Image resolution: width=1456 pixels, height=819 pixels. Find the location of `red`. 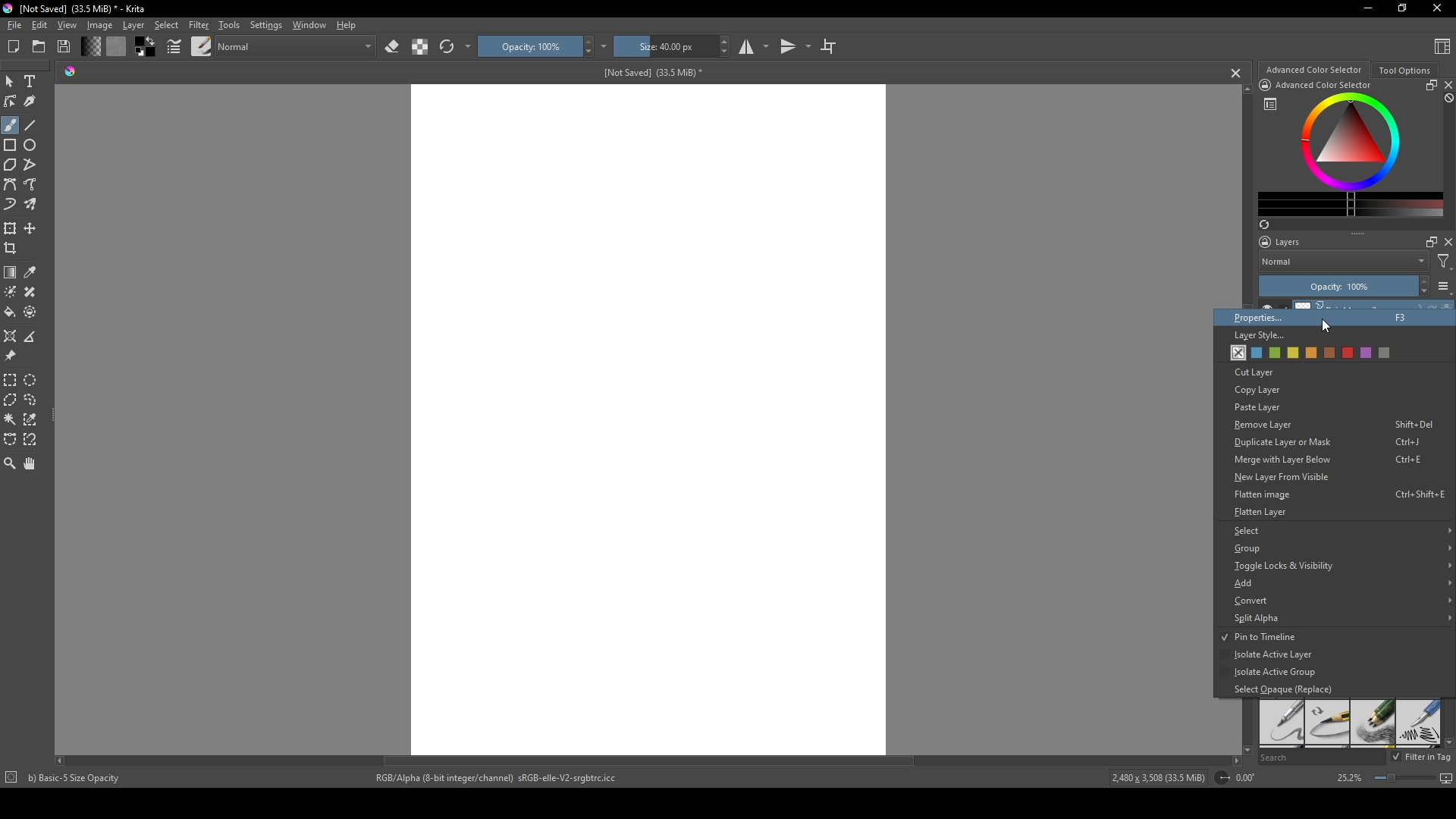

red is located at coordinates (1348, 353).